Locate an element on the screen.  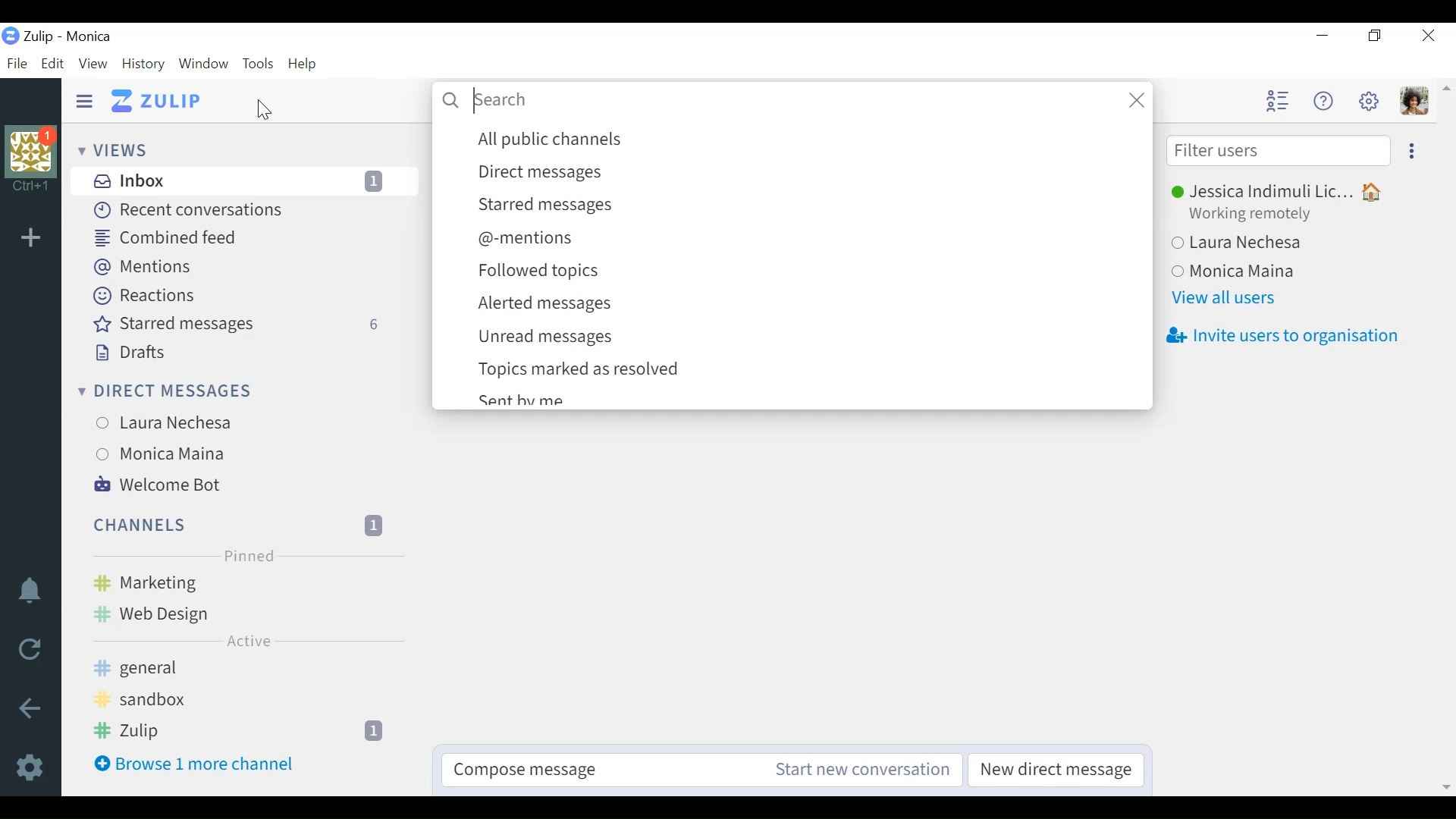
Settings is located at coordinates (1371, 100).